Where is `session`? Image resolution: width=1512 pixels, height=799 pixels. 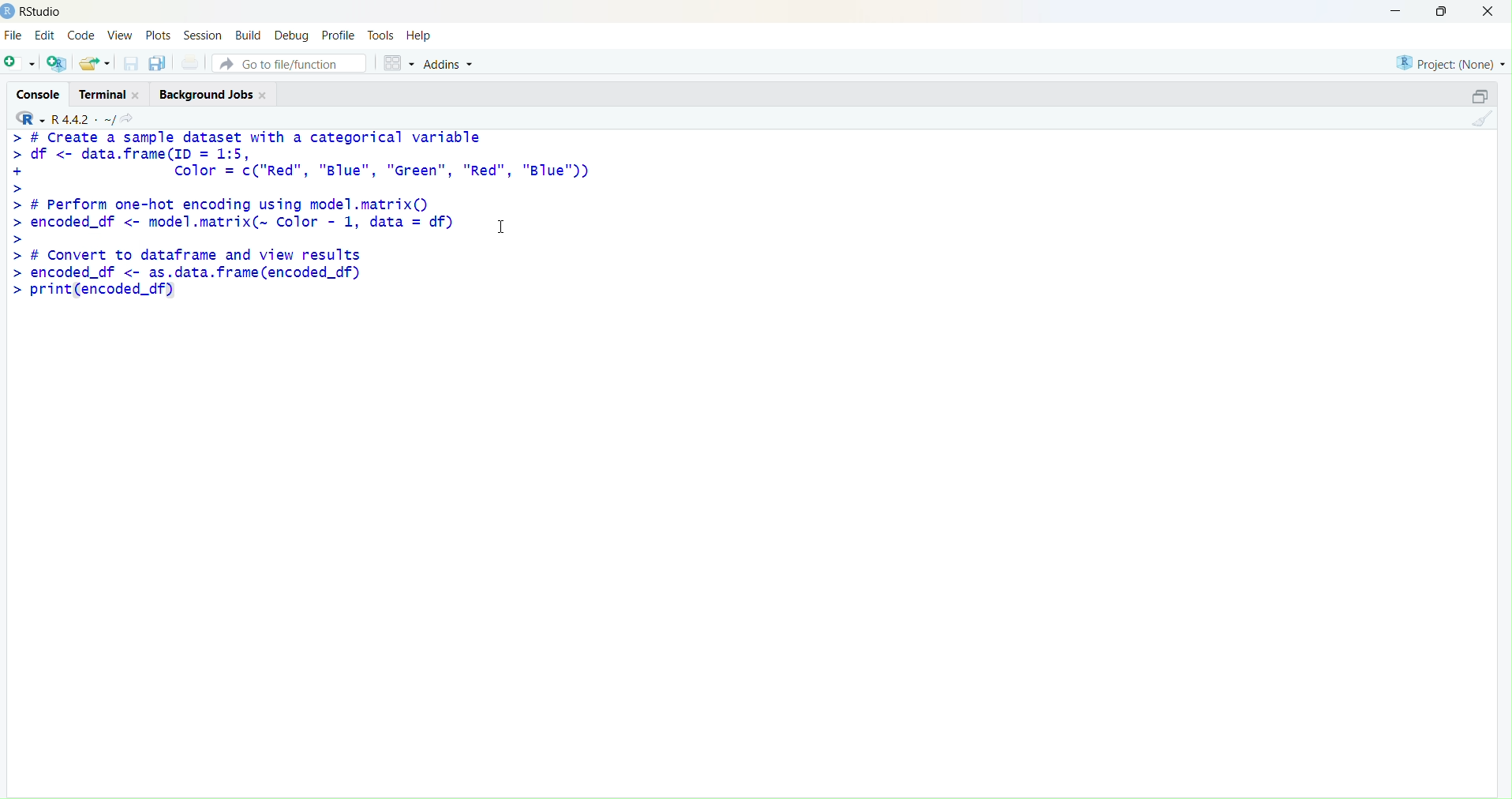 session is located at coordinates (204, 36).